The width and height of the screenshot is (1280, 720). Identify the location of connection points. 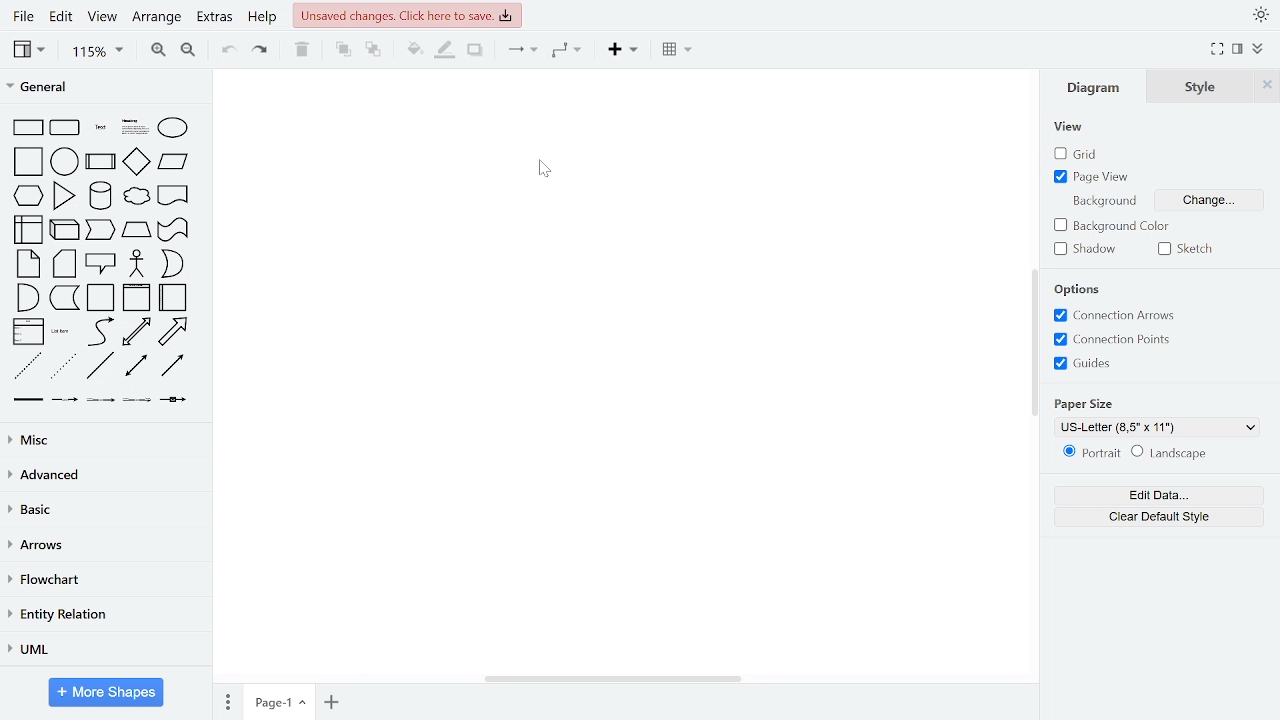
(1120, 339).